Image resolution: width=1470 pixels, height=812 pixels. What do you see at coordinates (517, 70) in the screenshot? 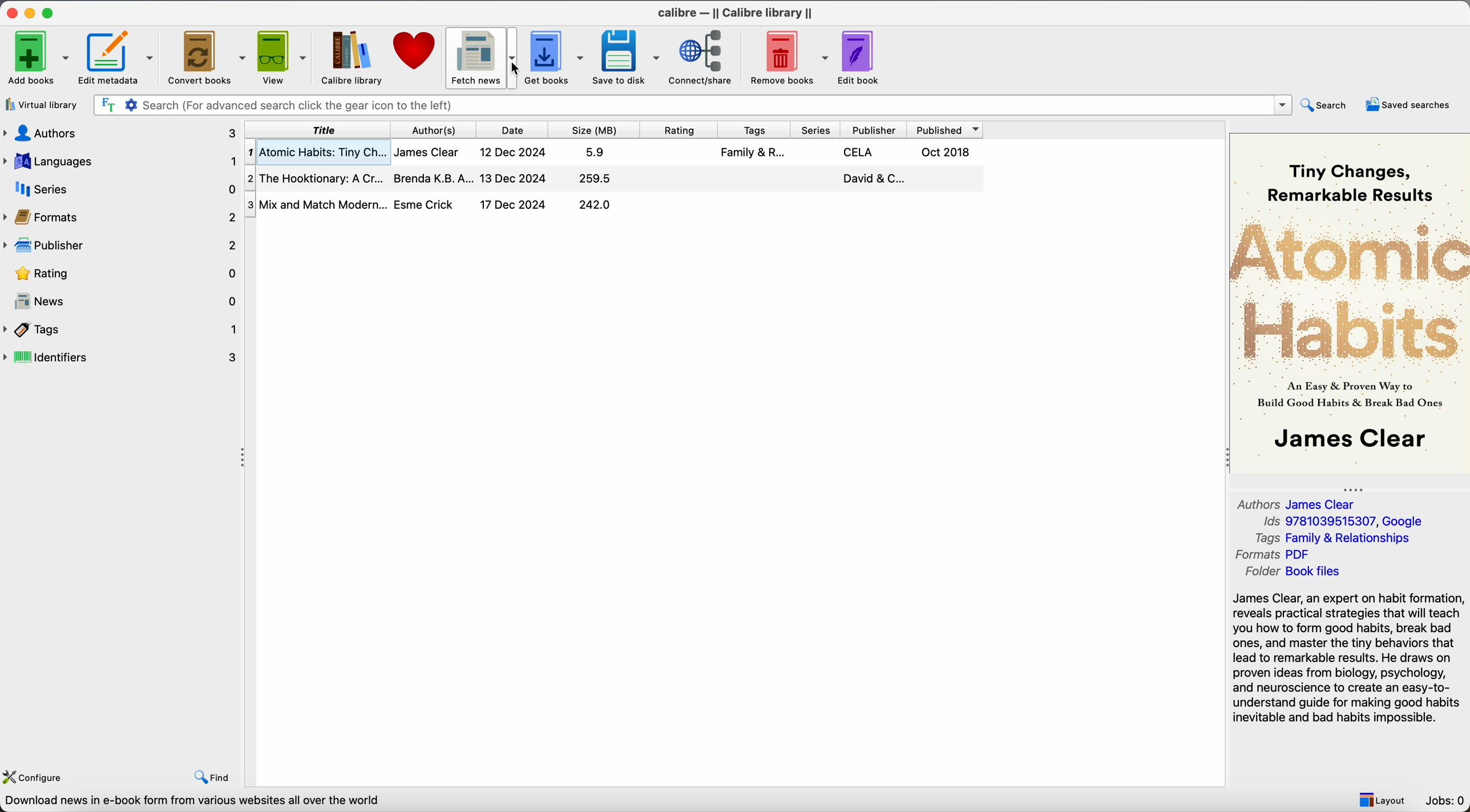
I see `cursor` at bounding box center [517, 70].